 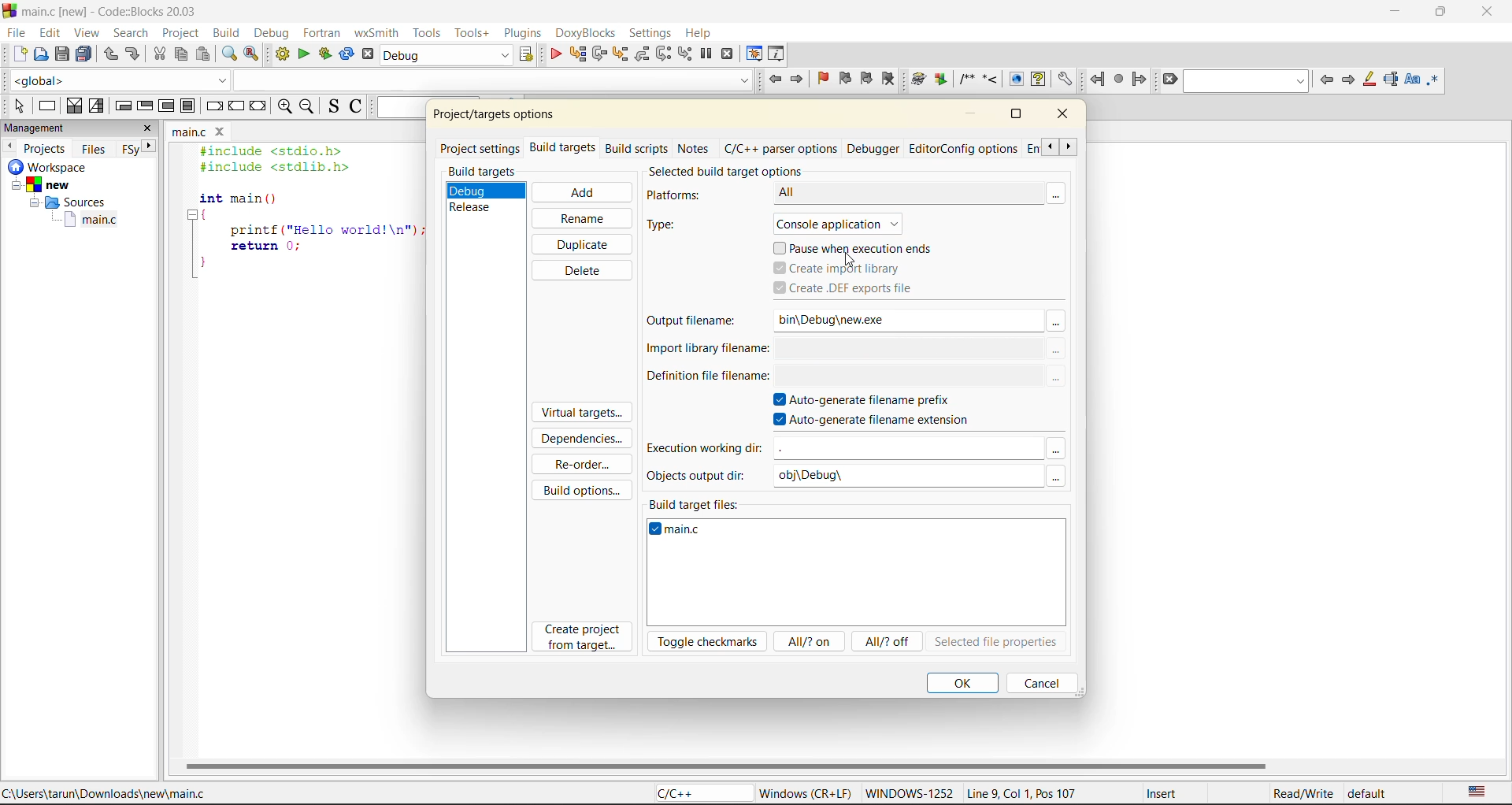 What do you see at coordinates (182, 54) in the screenshot?
I see `copy` at bounding box center [182, 54].